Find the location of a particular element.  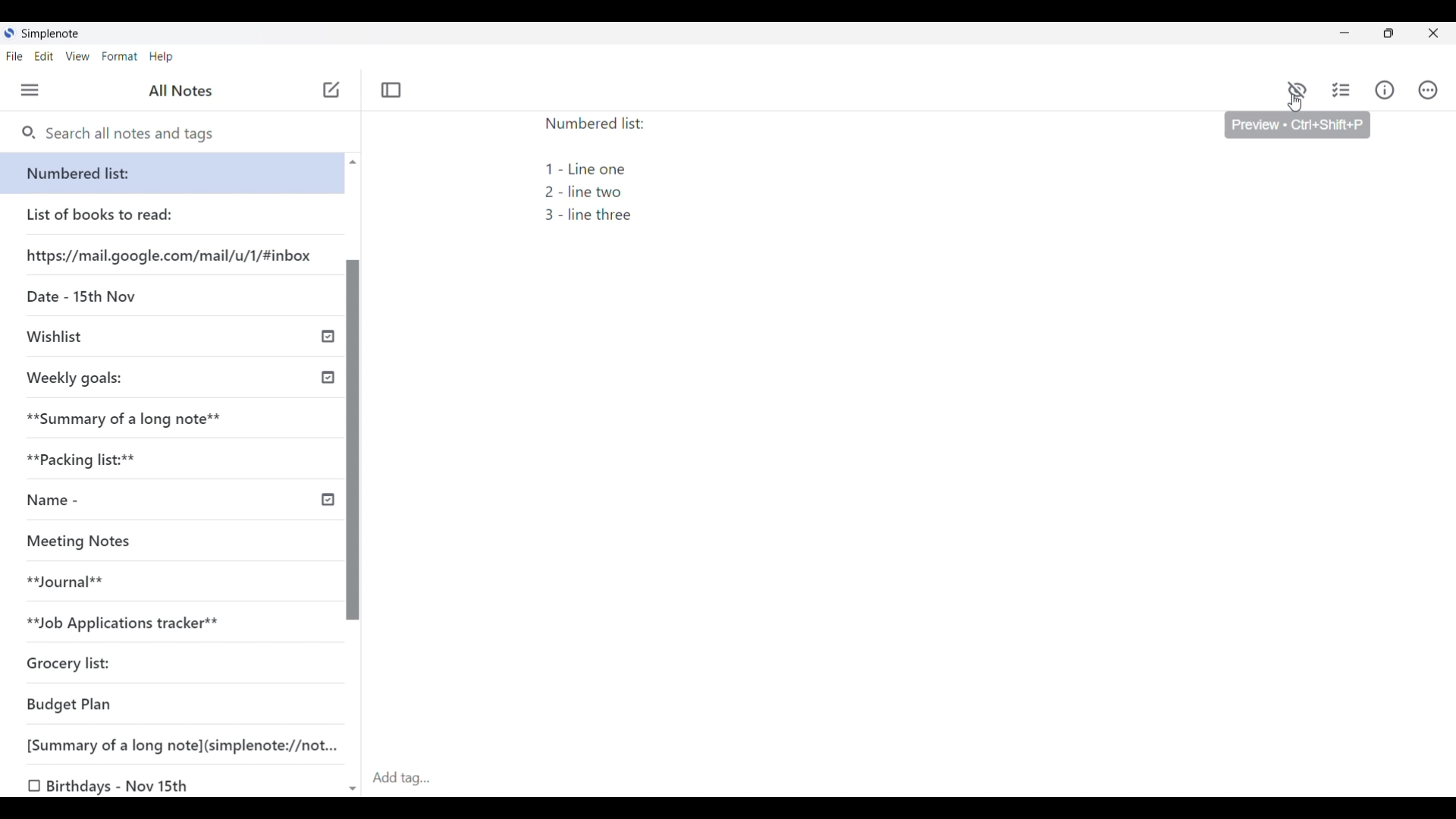

all notes is located at coordinates (180, 90).